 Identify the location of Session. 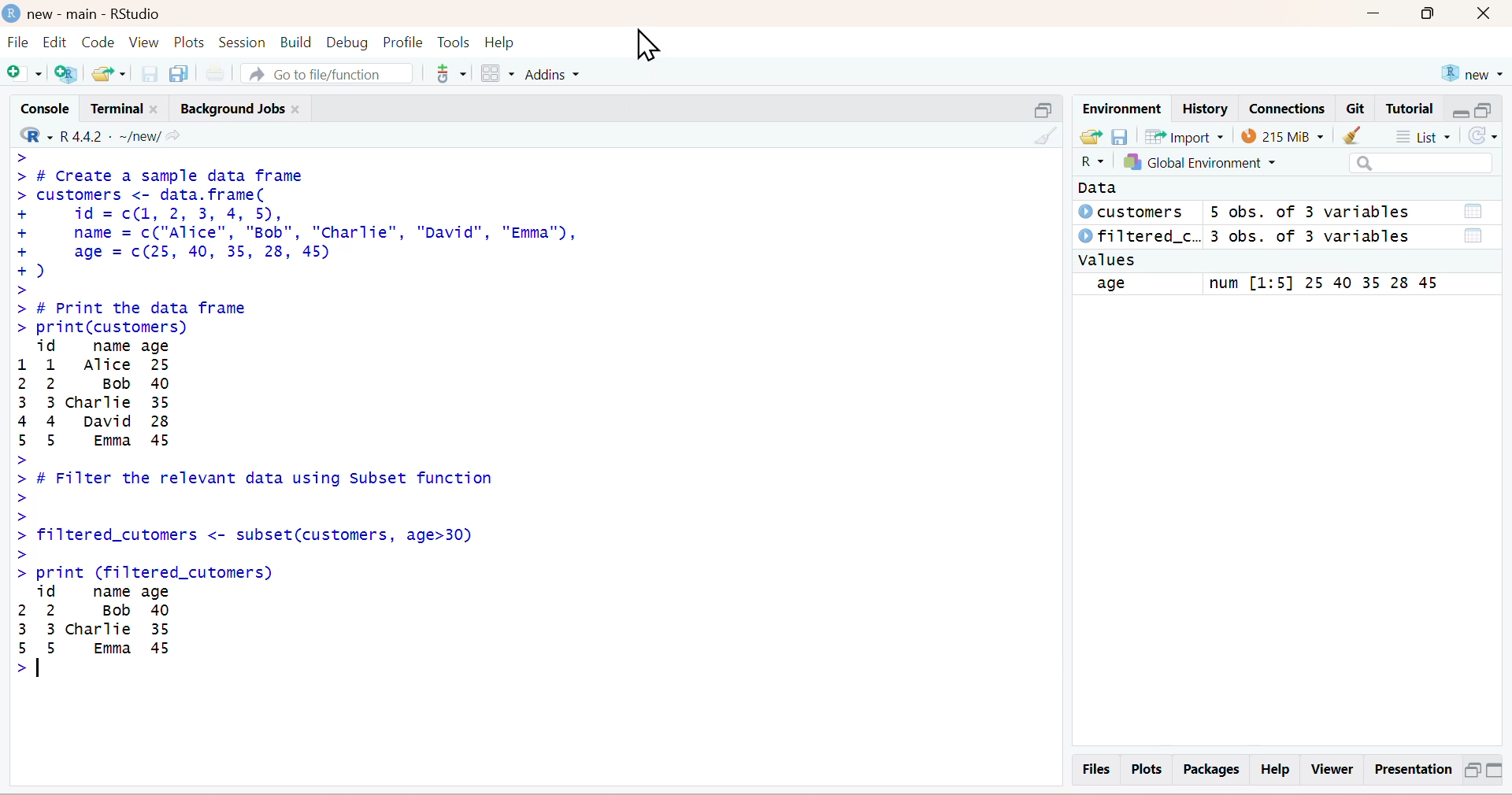
(242, 40).